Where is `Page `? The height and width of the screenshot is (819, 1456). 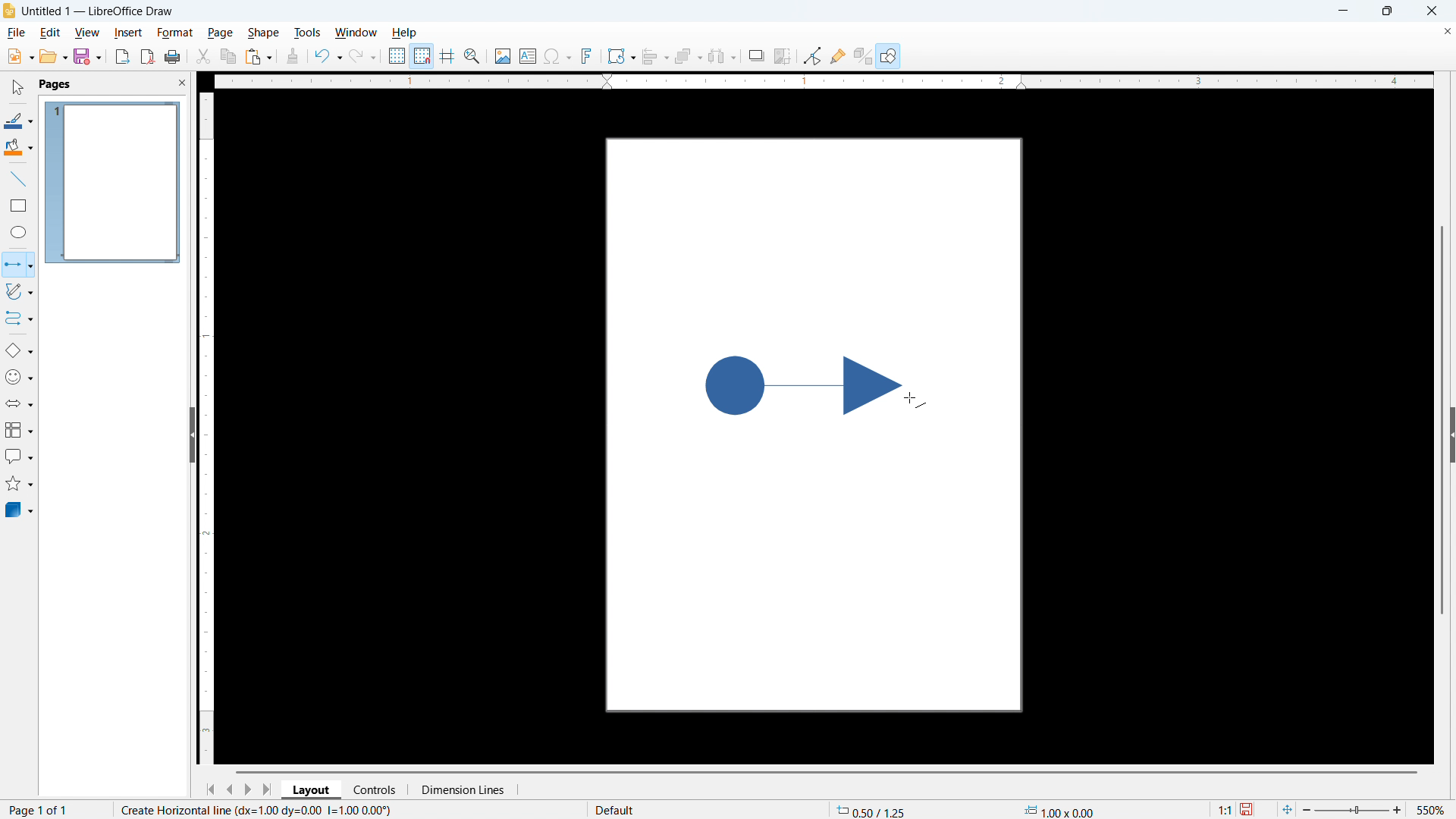
Page  is located at coordinates (219, 33).